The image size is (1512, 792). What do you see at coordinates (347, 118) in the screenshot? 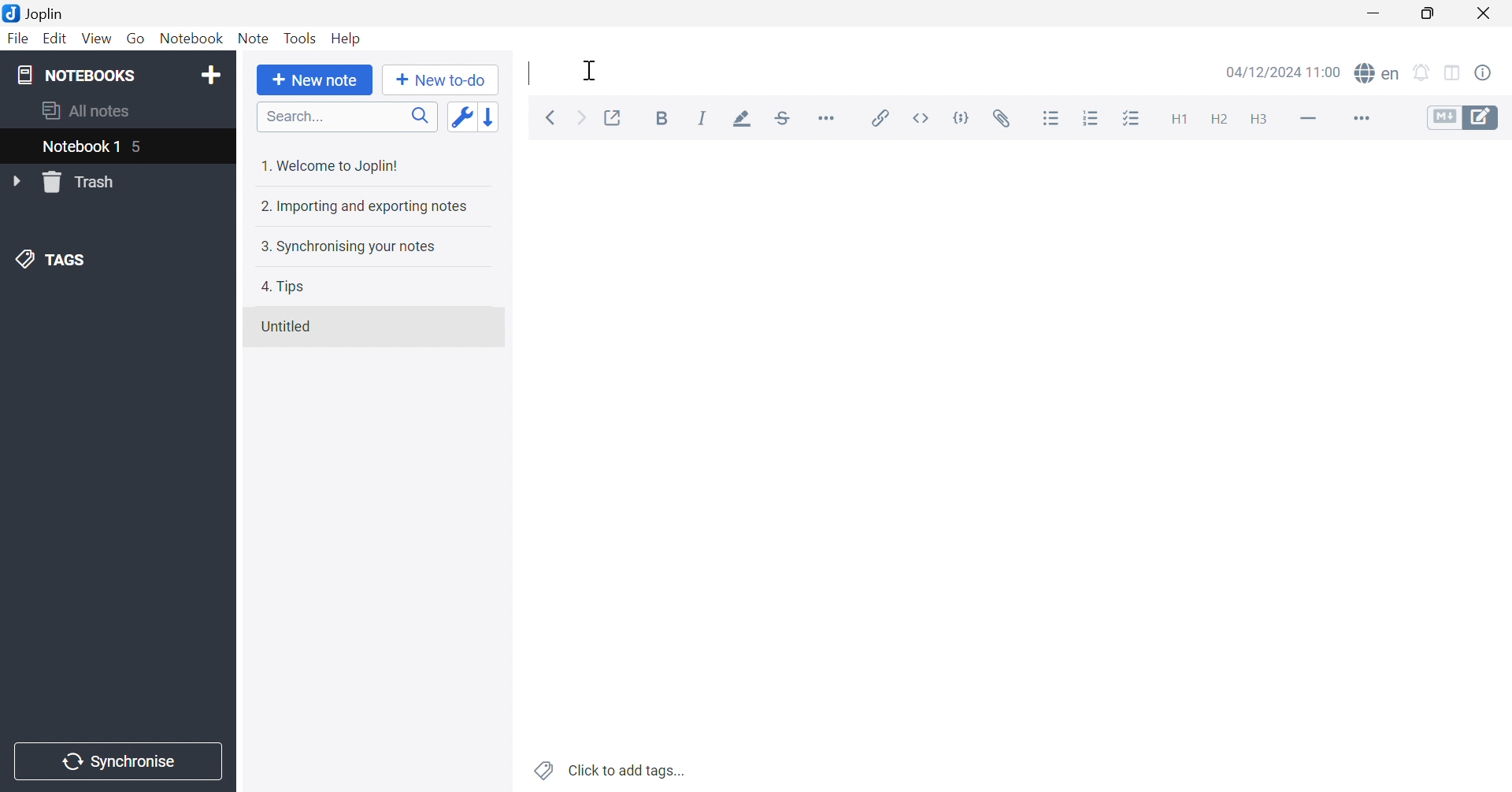
I see `Search` at bounding box center [347, 118].